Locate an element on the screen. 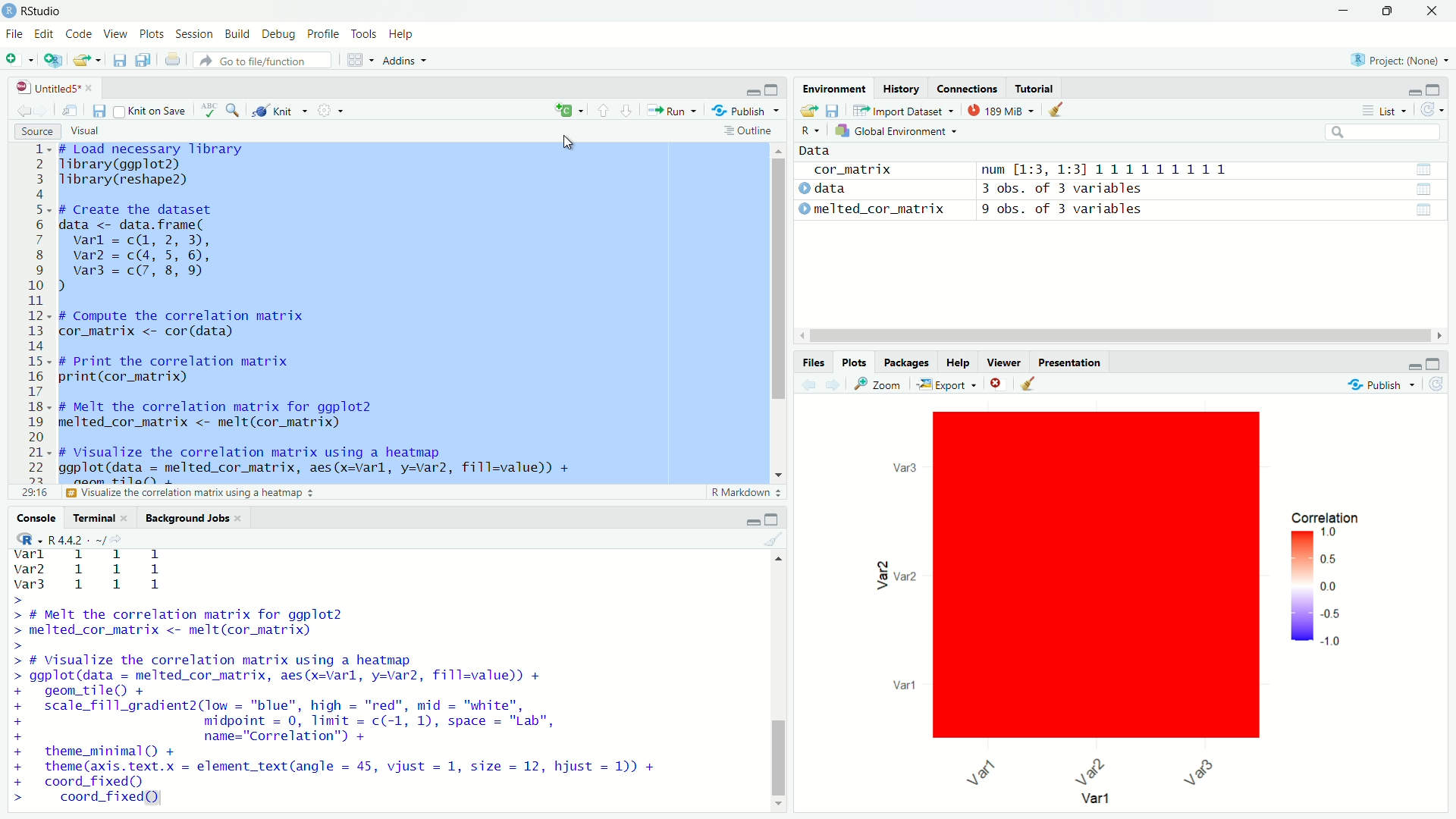 The image size is (1456, 819). minimize is located at coordinates (1343, 11).